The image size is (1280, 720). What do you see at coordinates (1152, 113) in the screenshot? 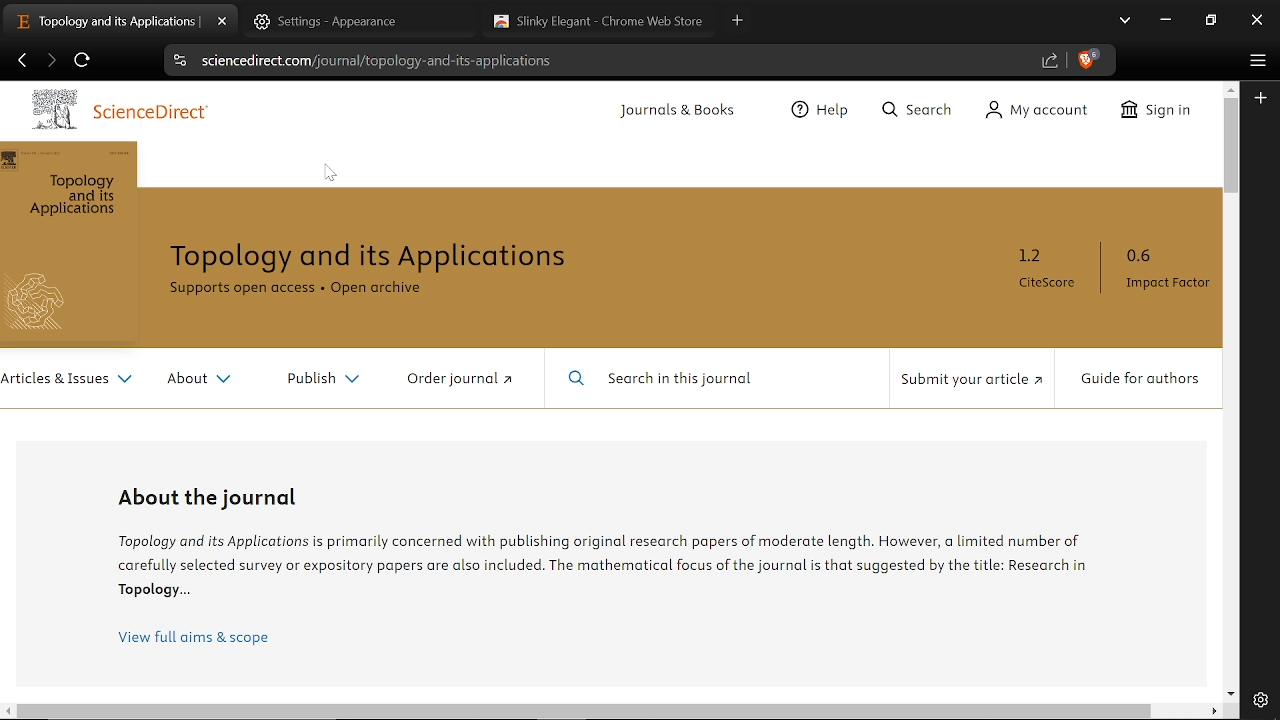
I see `Sign In` at bounding box center [1152, 113].